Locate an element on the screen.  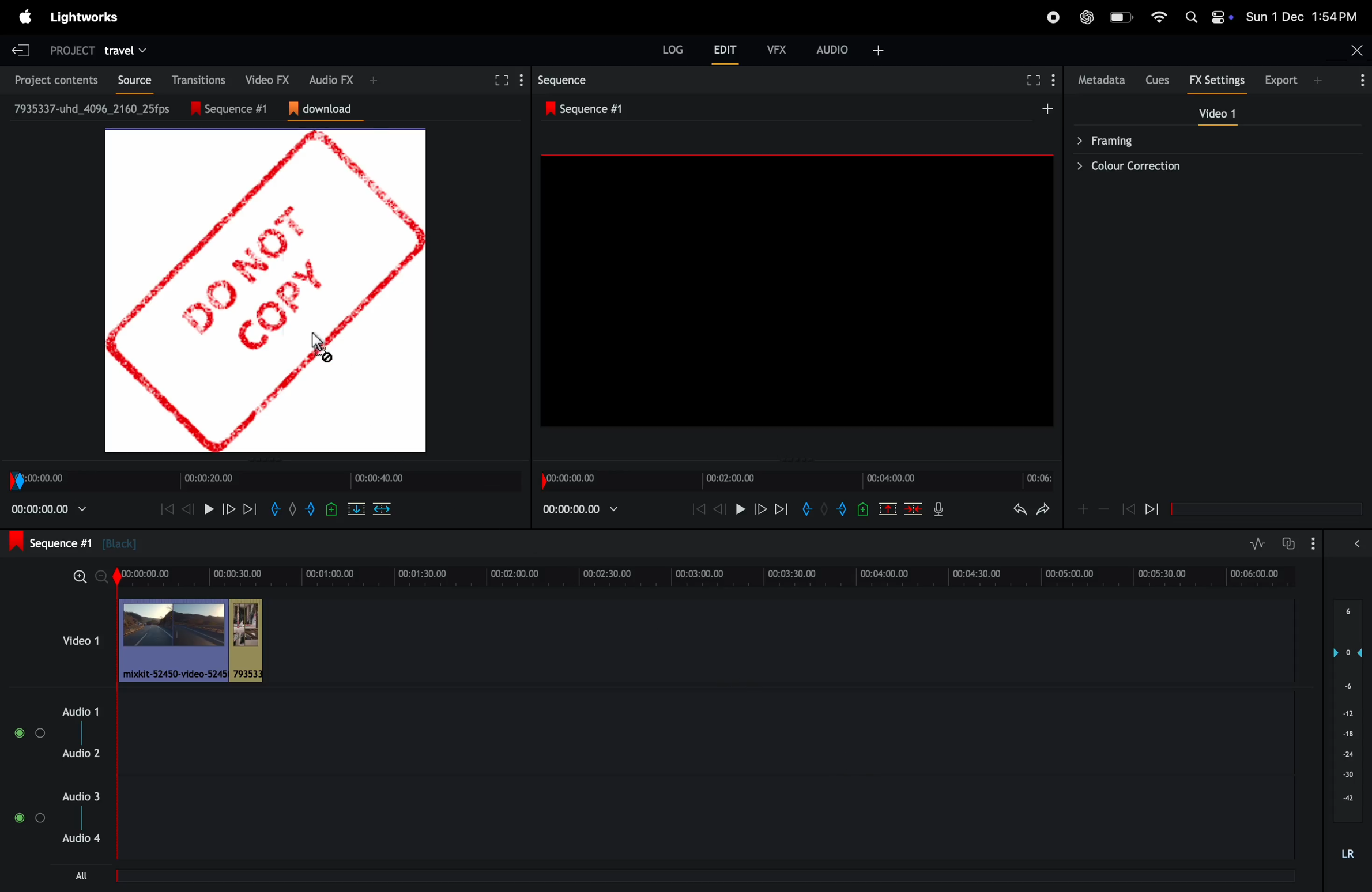
previous frame is located at coordinates (720, 508).